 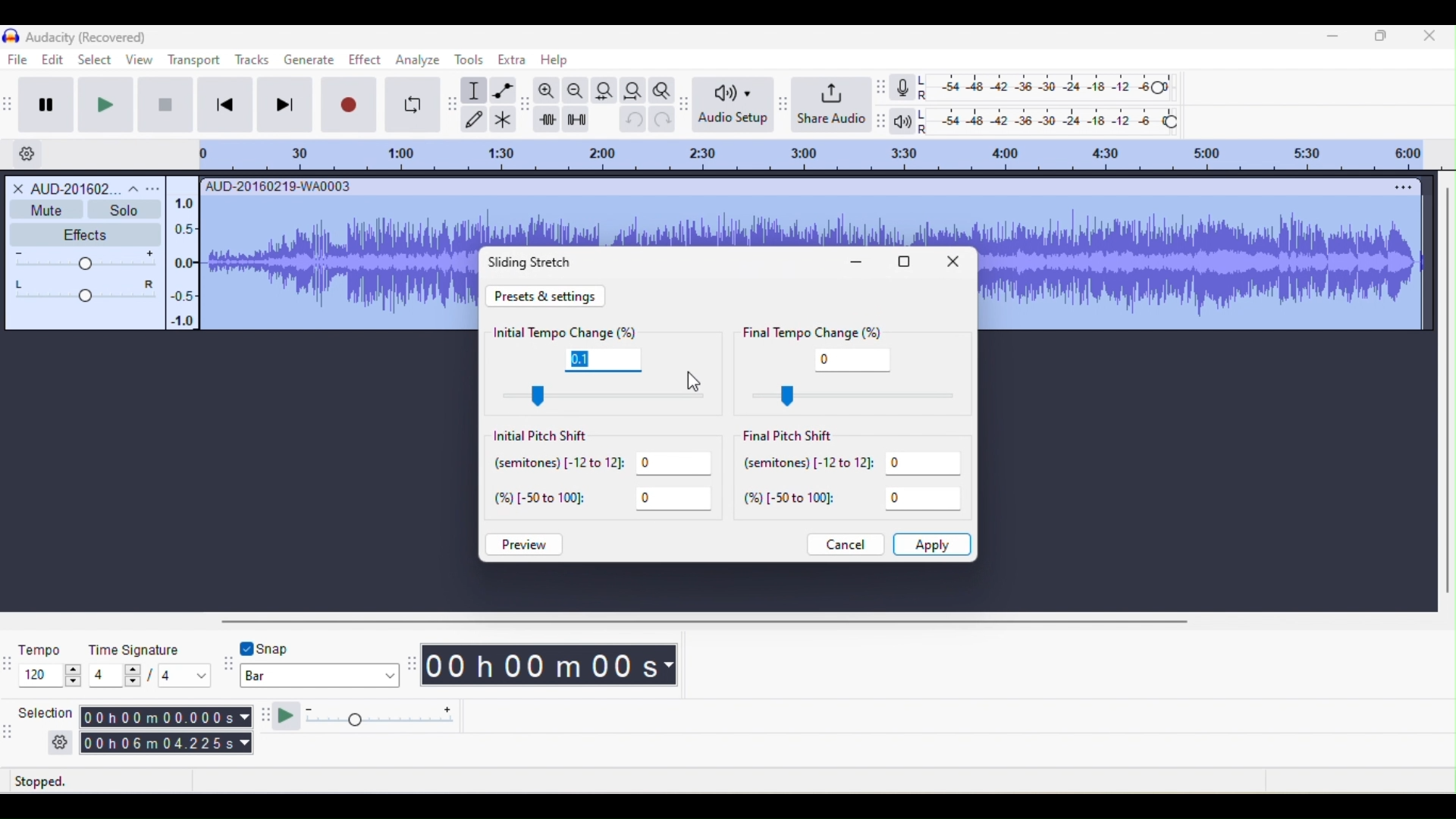 What do you see at coordinates (503, 119) in the screenshot?
I see `multi tool` at bounding box center [503, 119].